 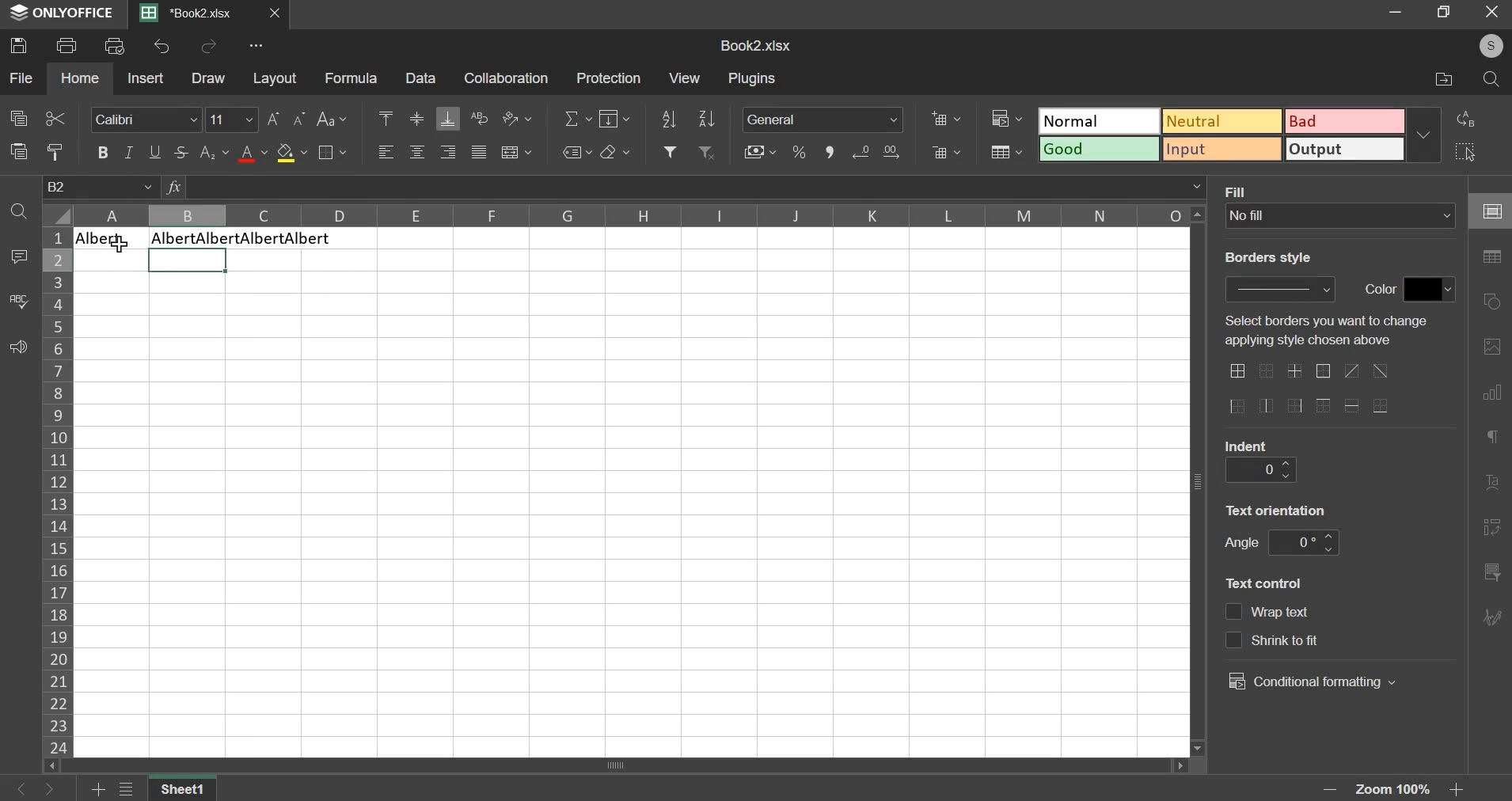 What do you see at coordinates (1381, 291) in the screenshot?
I see `text` at bounding box center [1381, 291].